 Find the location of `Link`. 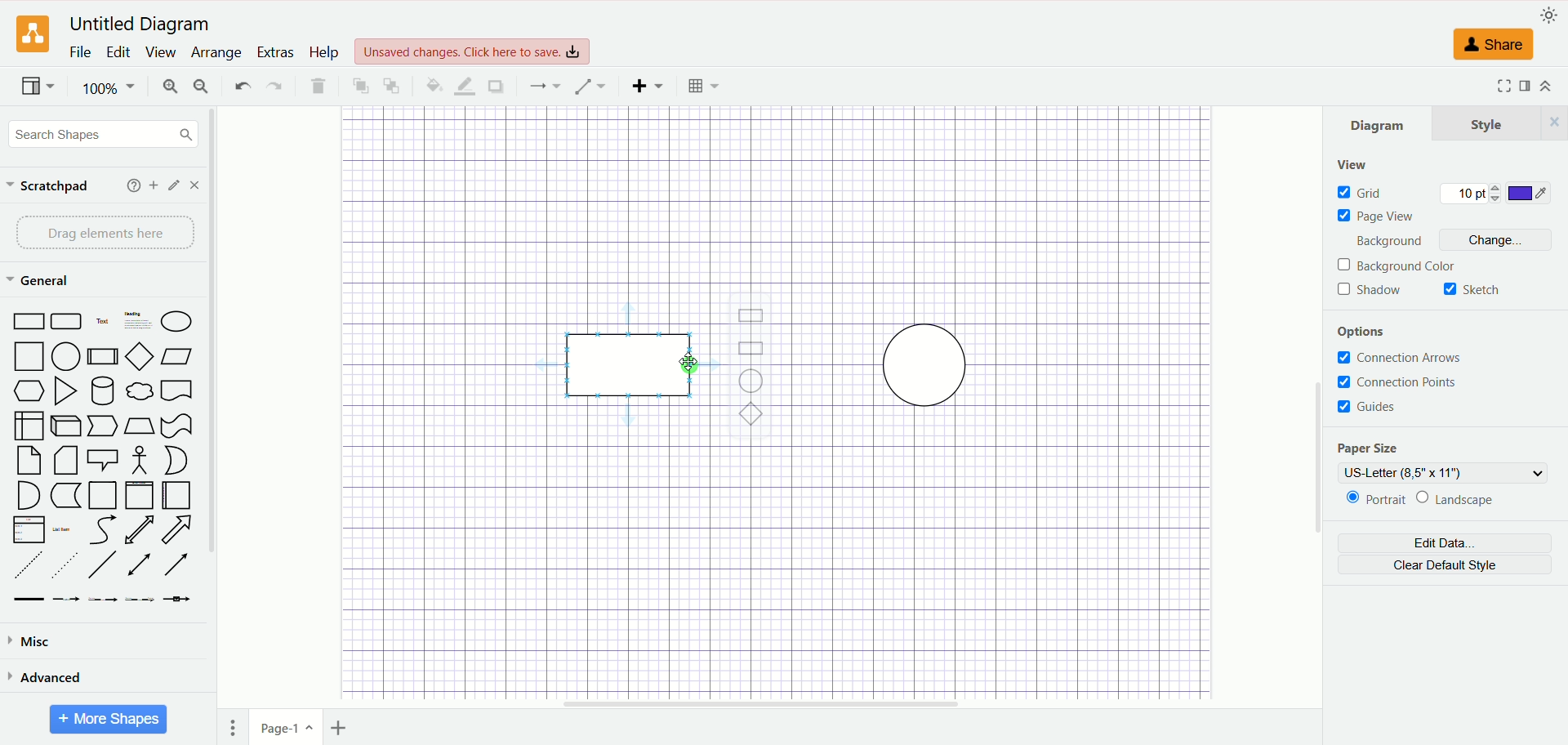

Link is located at coordinates (29, 602).